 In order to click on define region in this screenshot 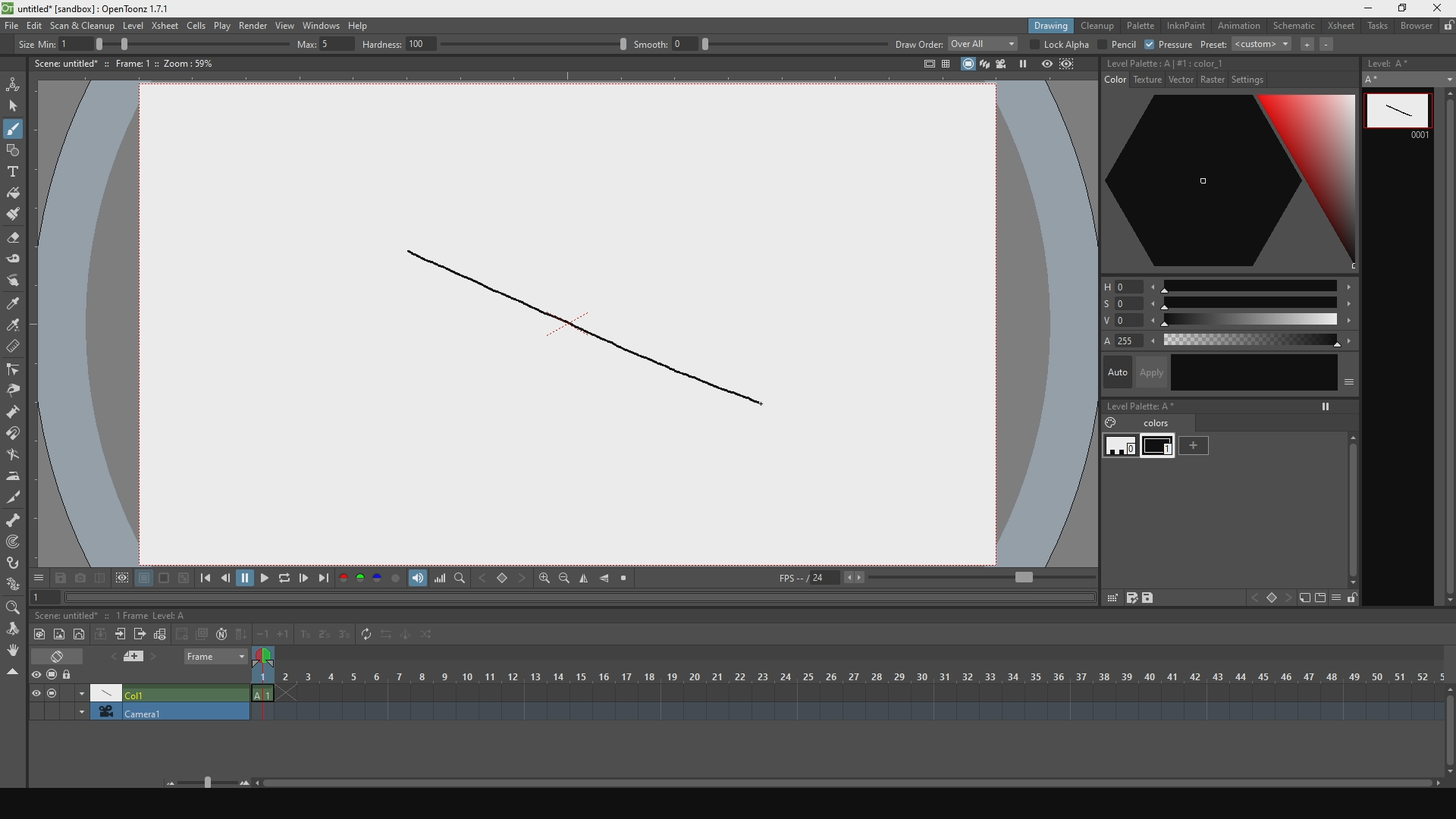, I will do `click(1077, 65)`.